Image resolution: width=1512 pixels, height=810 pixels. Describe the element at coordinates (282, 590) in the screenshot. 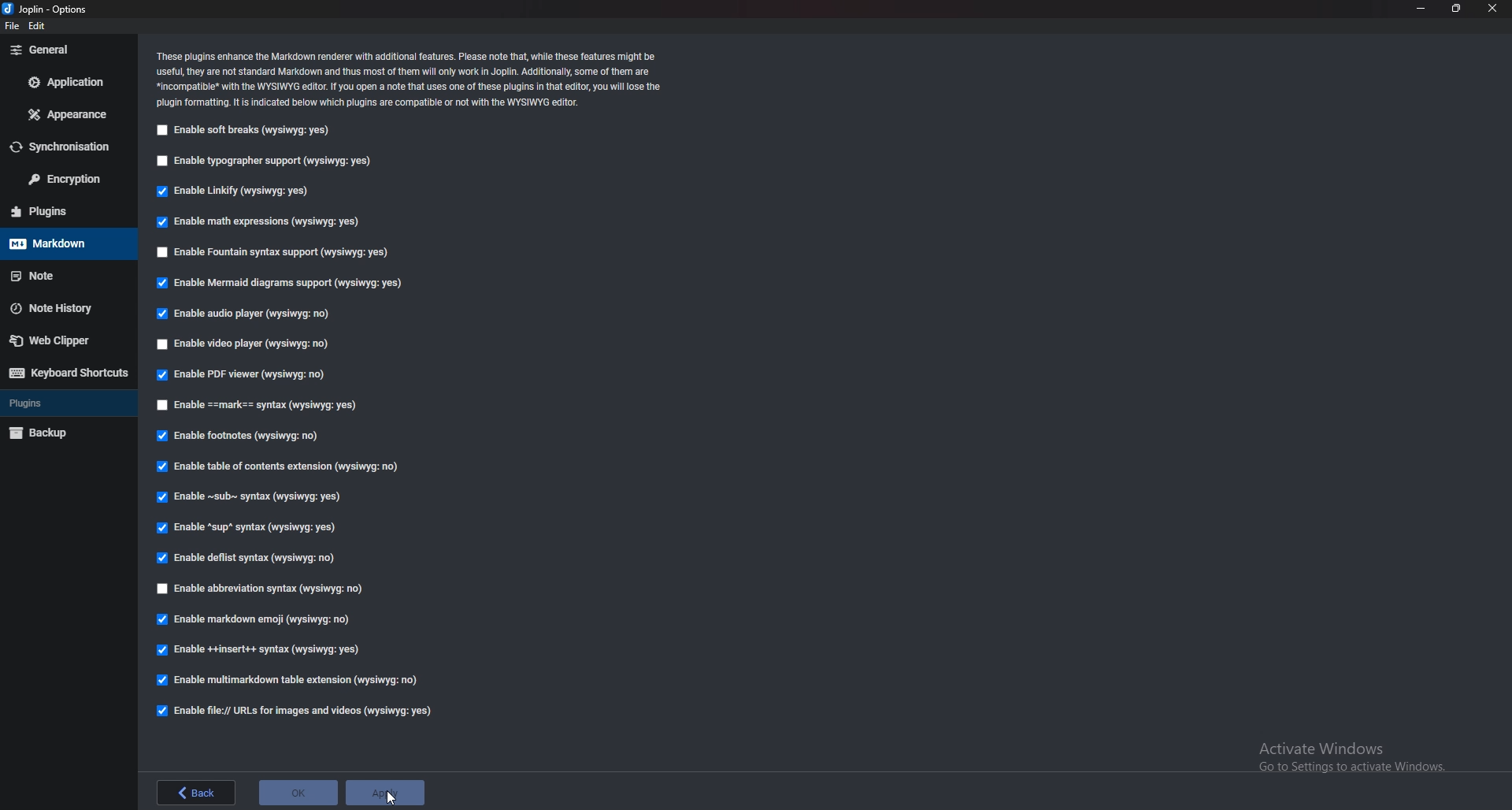

I see `enable abbreviations syntax` at that location.